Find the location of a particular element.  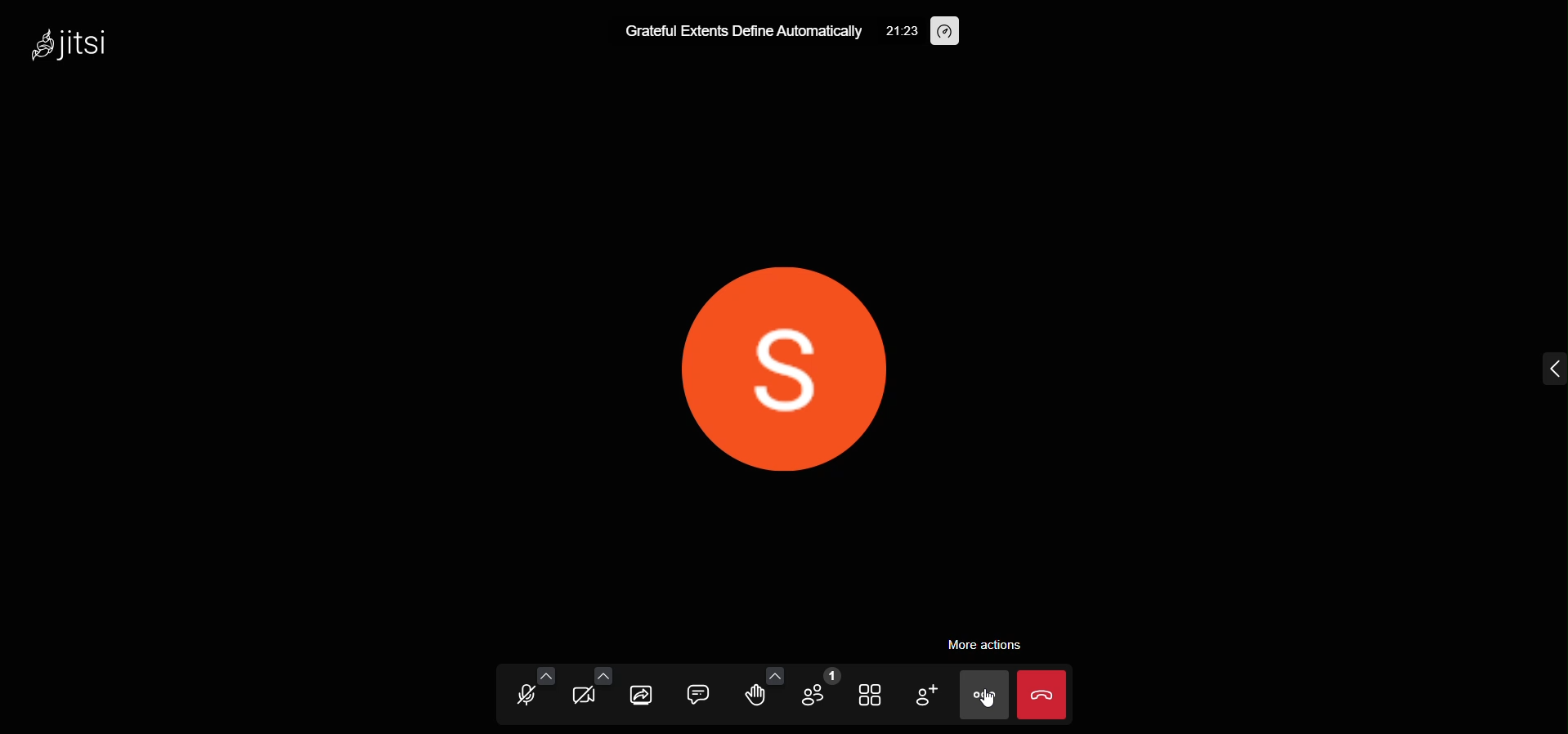

microphone is located at coordinates (522, 696).